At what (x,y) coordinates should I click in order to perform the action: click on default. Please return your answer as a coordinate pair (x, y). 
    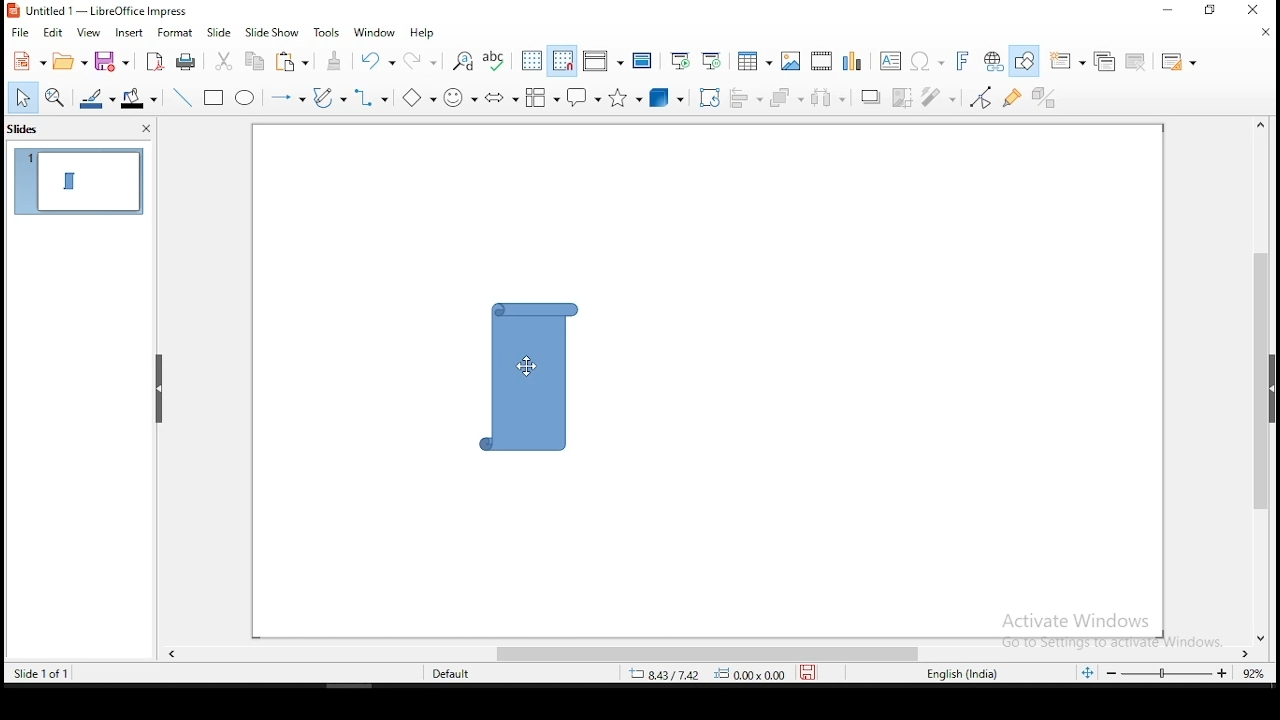
    Looking at the image, I should click on (451, 675).